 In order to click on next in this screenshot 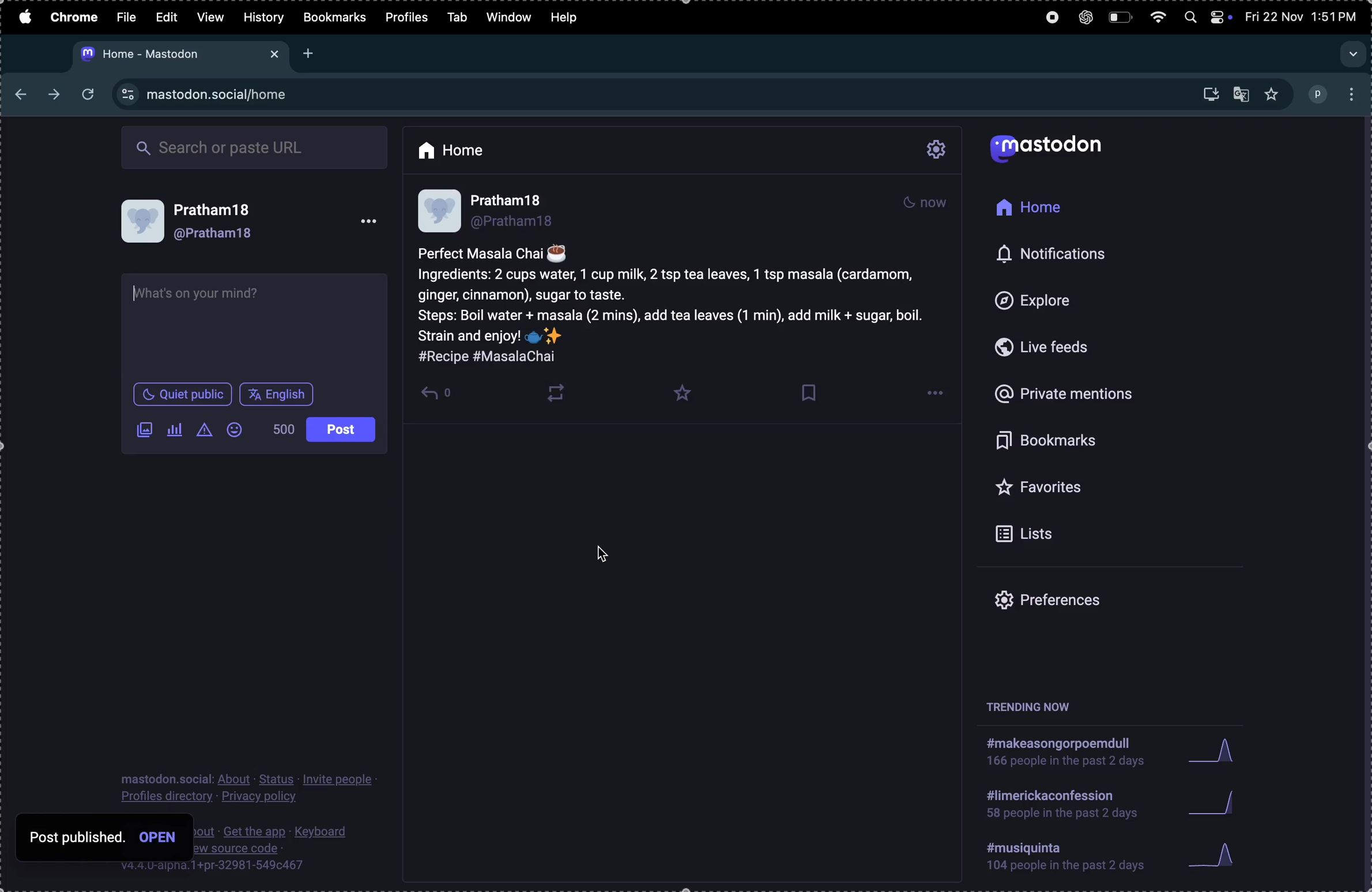, I will do `click(56, 96)`.